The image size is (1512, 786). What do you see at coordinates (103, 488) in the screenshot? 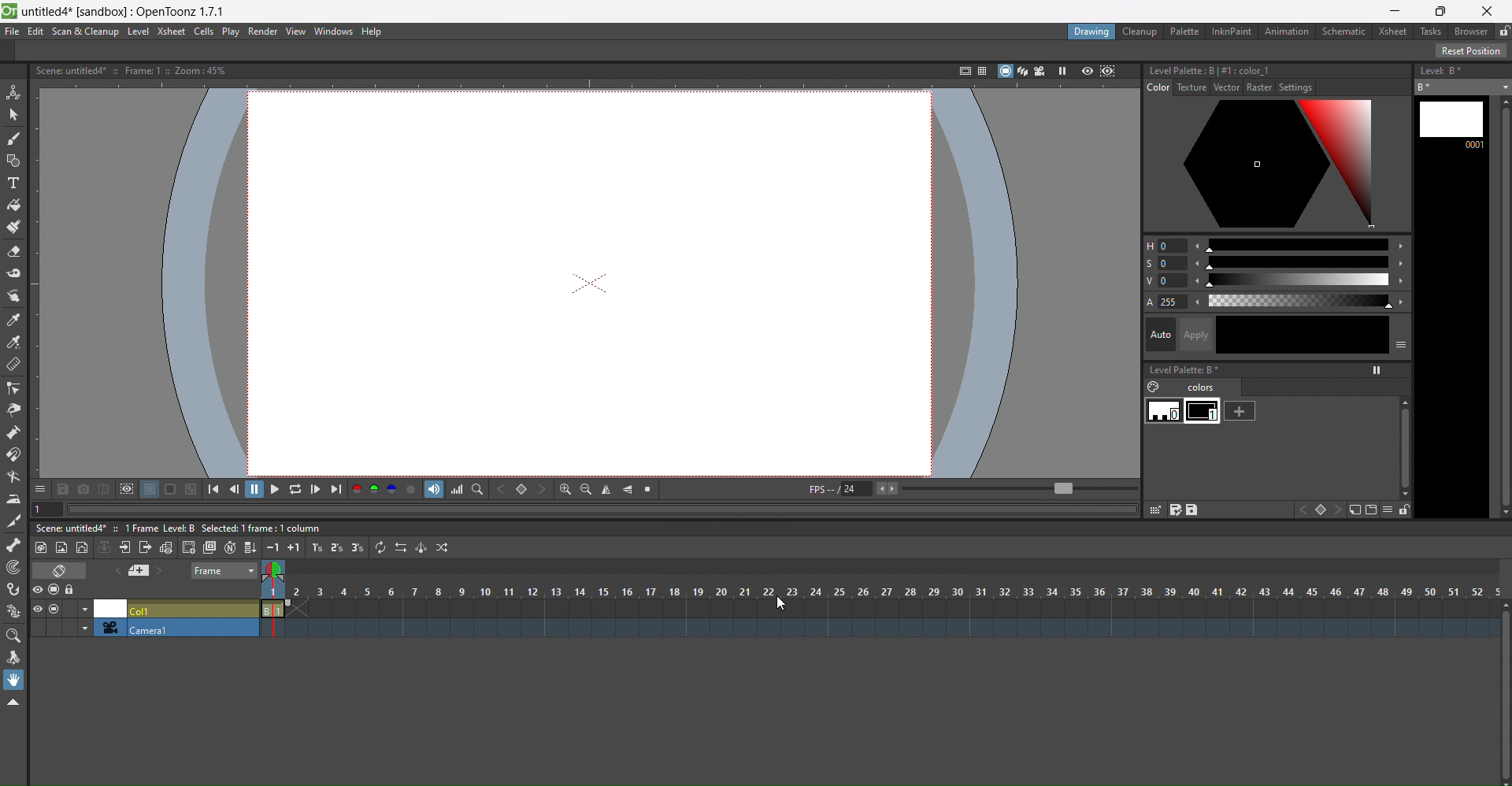
I see `tool` at bounding box center [103, 488].